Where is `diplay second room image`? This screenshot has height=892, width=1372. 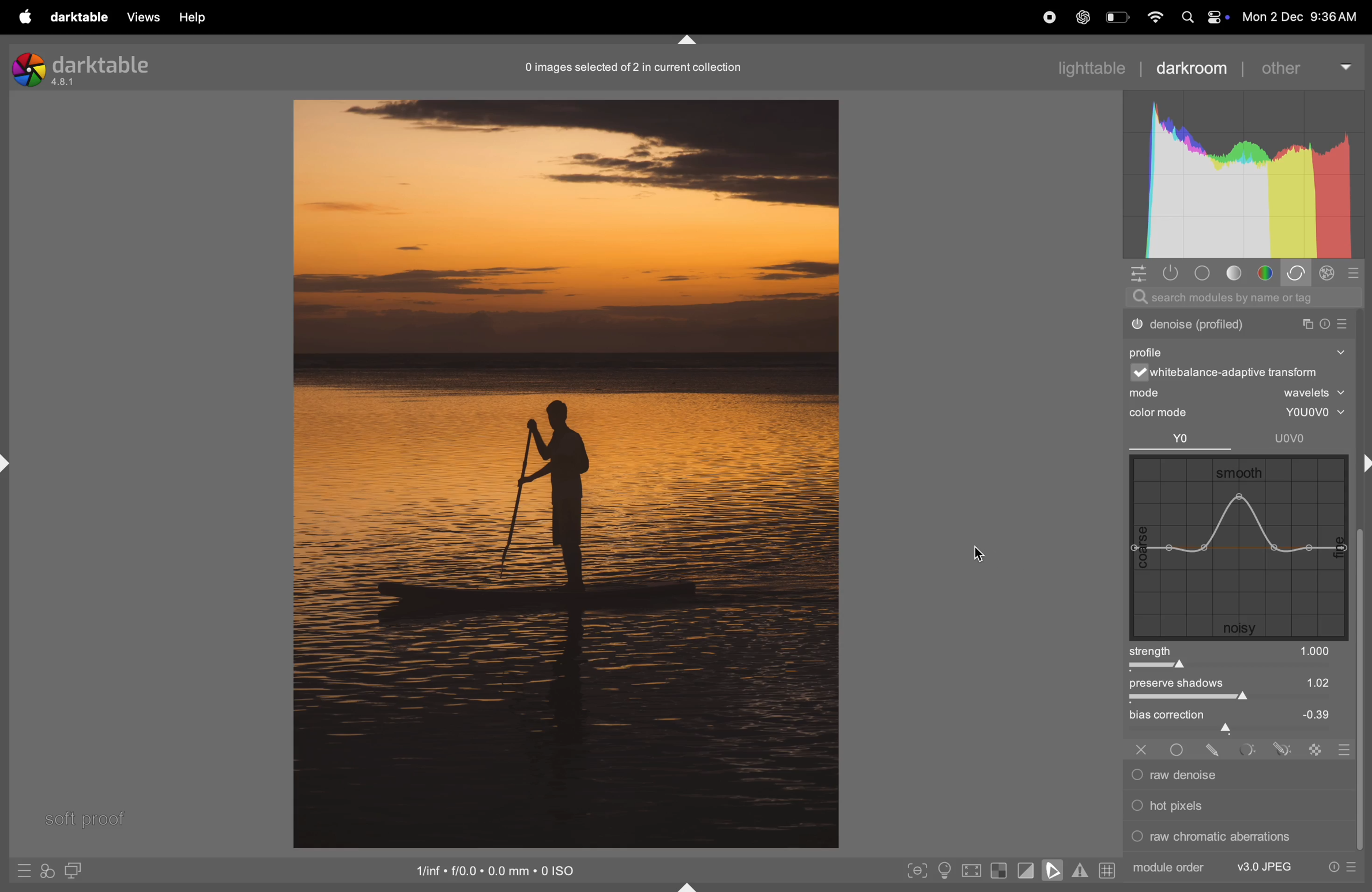
diplay second room image is located at coordinates (78, 872).